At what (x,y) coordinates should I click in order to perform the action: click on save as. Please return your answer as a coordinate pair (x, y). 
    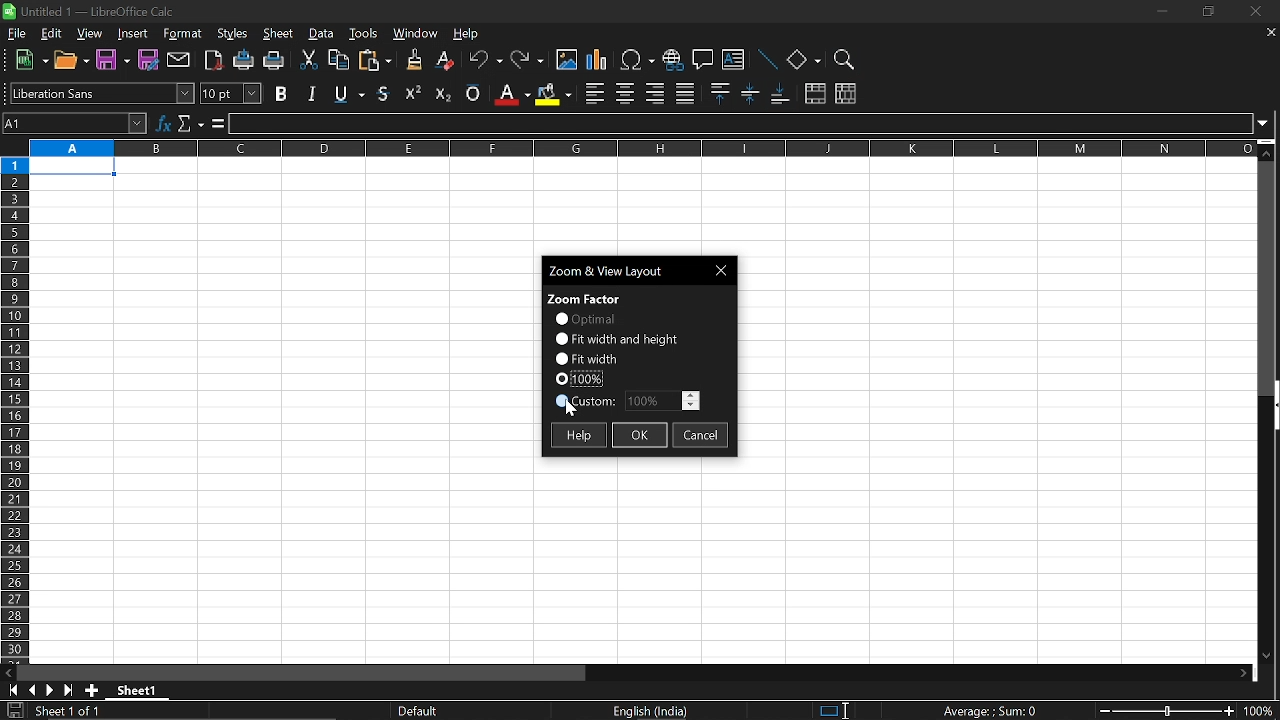
    Looking at the image, I should click on (149, 60).